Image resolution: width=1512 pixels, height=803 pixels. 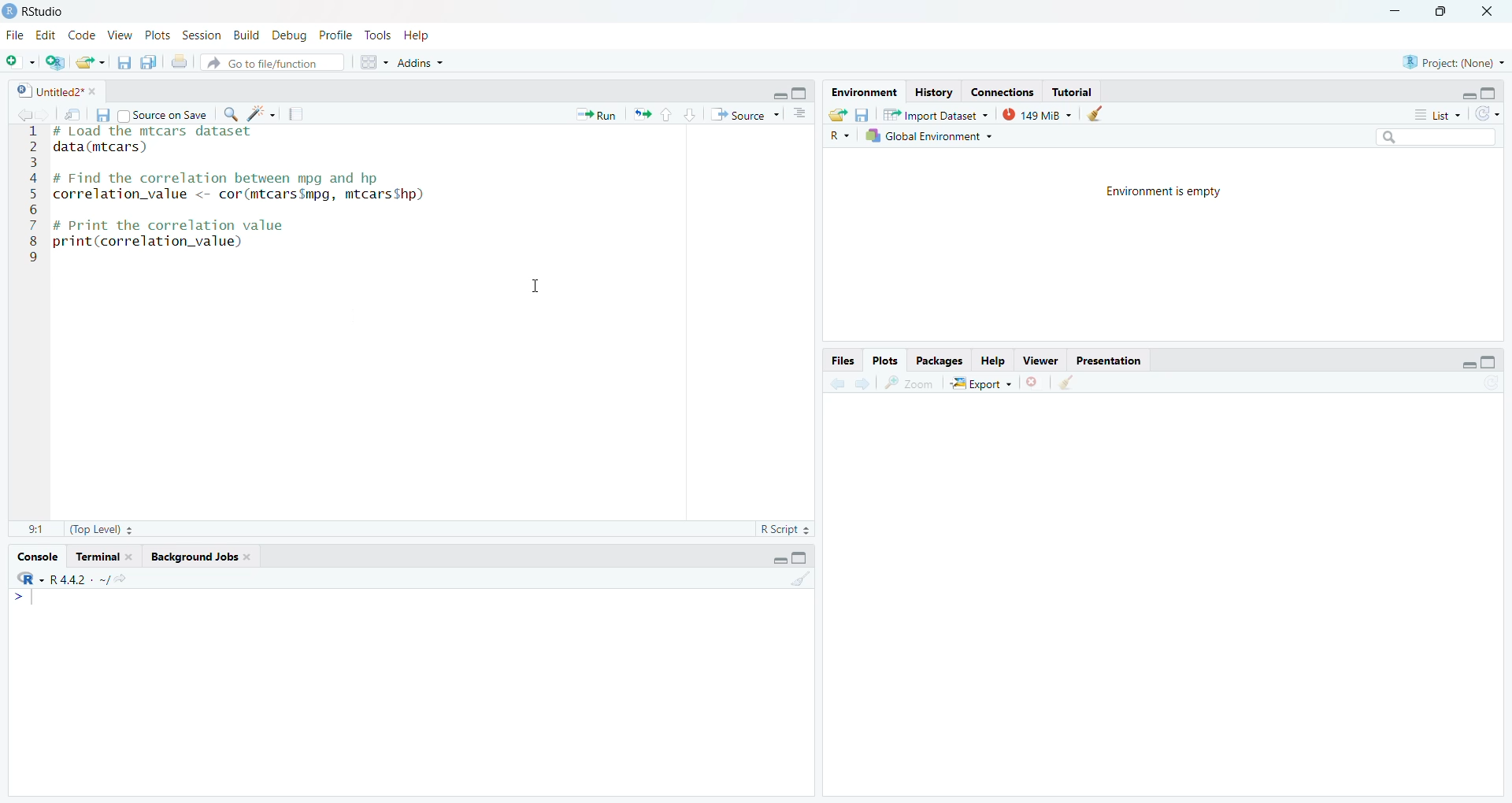 What do you see at coordinates (1043, 113) in the screenshot?
I see `149kib used by R session (Source: Windows System)` at bounding box center [1043, 113].